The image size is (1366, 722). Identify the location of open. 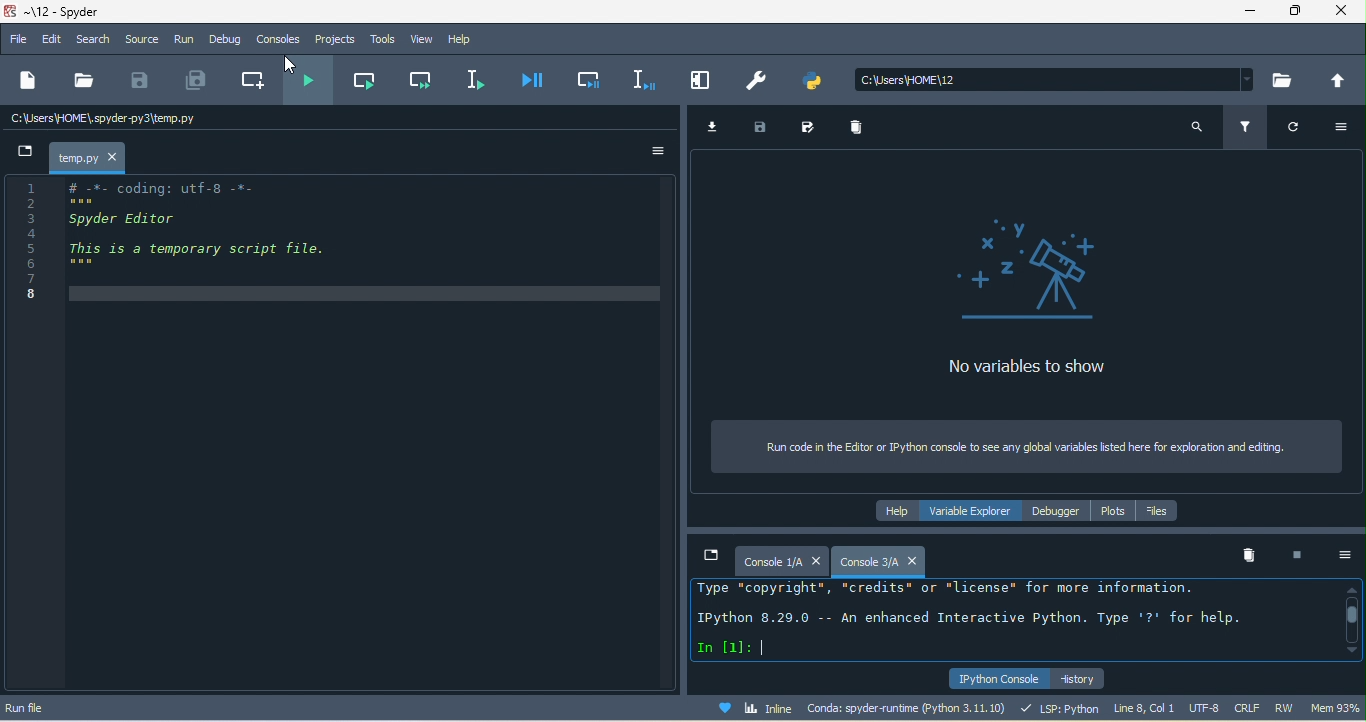
(83, 84).